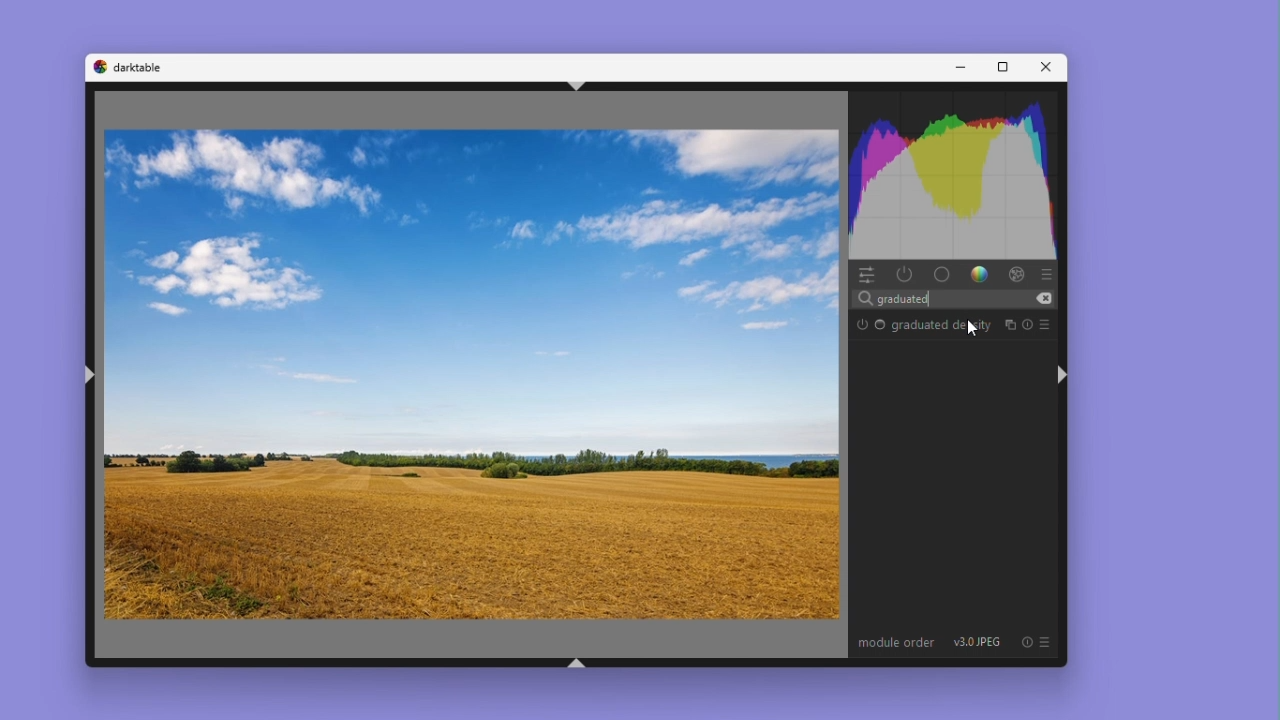 Image resolution: width=1280 pixels, height=720 pixels. Describe the element at coordinates (941, 274) in the screenshot. I see `base` at that location.